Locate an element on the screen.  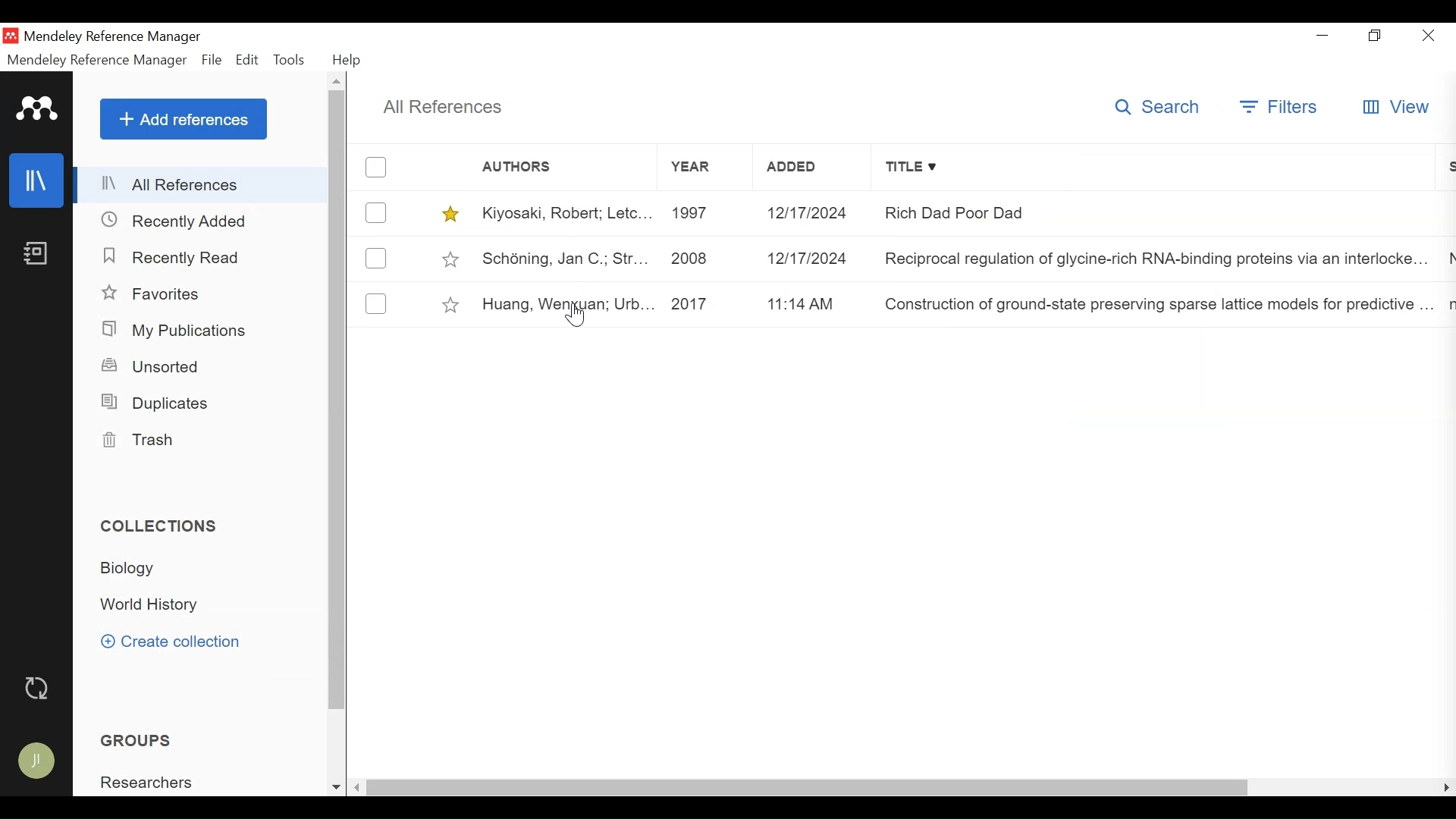
Restore is located at coordinates (1376, 36).